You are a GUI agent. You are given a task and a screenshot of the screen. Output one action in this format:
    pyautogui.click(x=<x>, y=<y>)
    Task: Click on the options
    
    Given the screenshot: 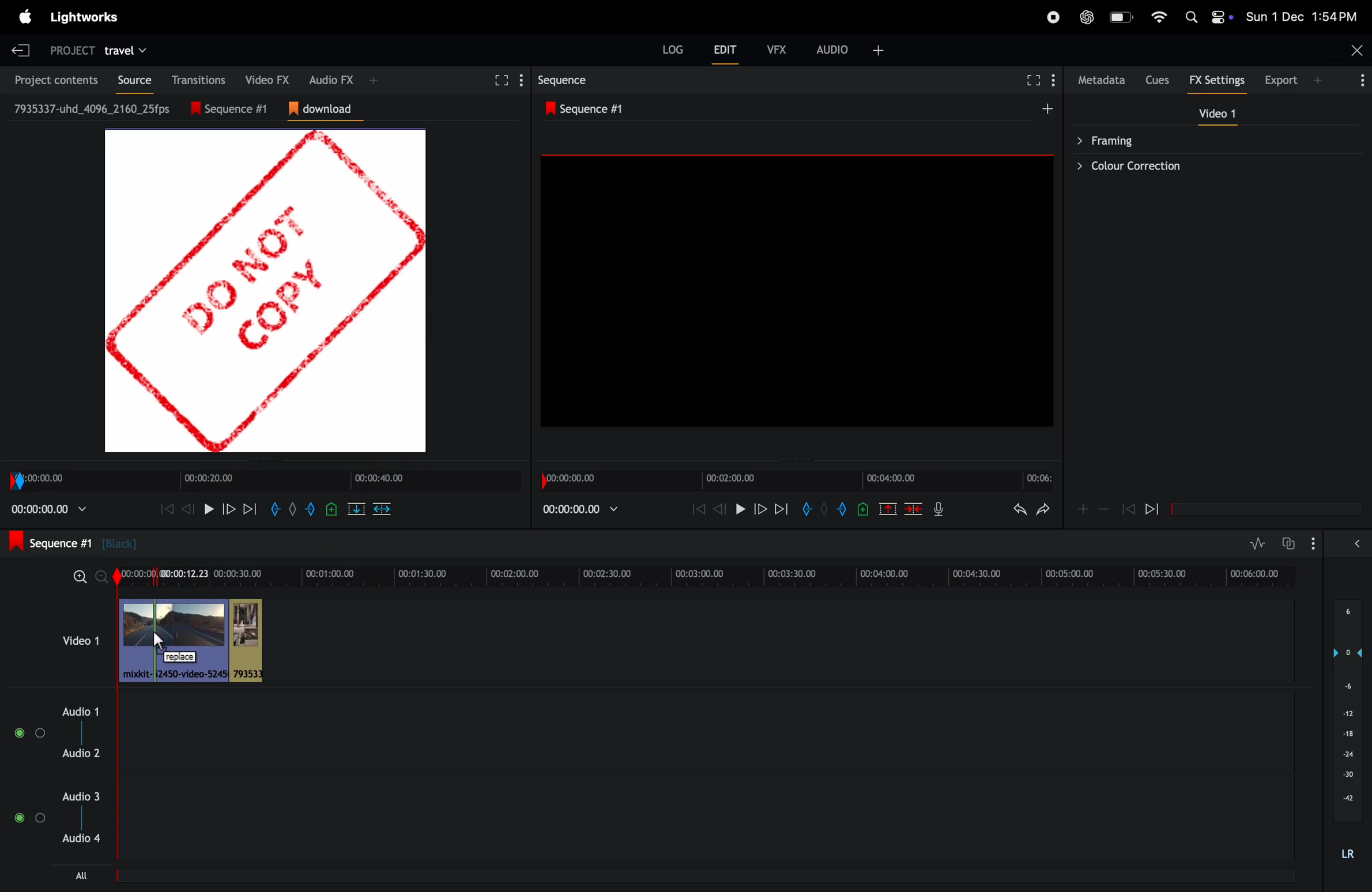 What is the action you would take?
    pyautogui.click(x=1359, y=80)
    